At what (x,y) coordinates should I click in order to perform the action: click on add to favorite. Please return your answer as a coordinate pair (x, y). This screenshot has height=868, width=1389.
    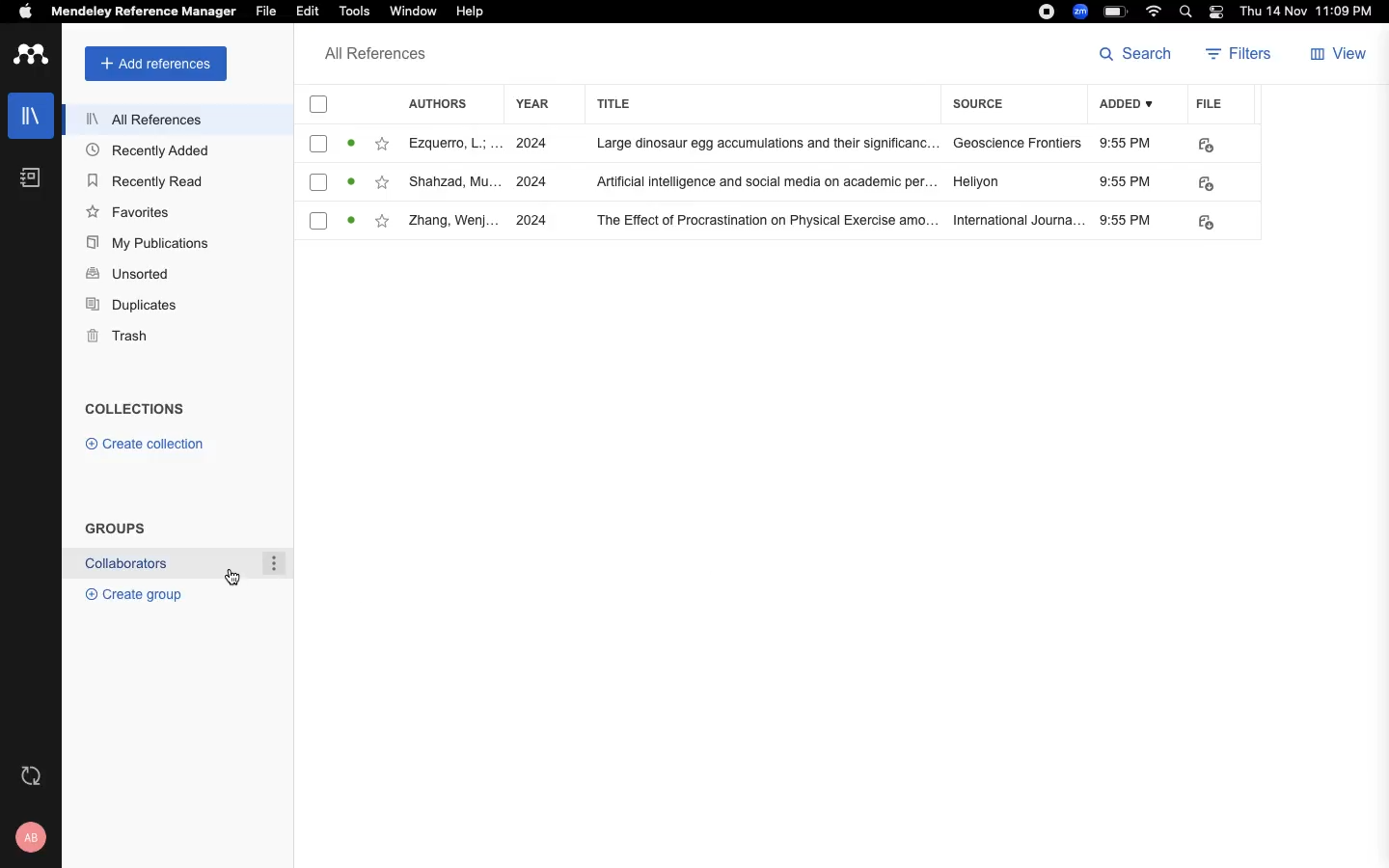
    Looking at the image, I should click on (383, 183).